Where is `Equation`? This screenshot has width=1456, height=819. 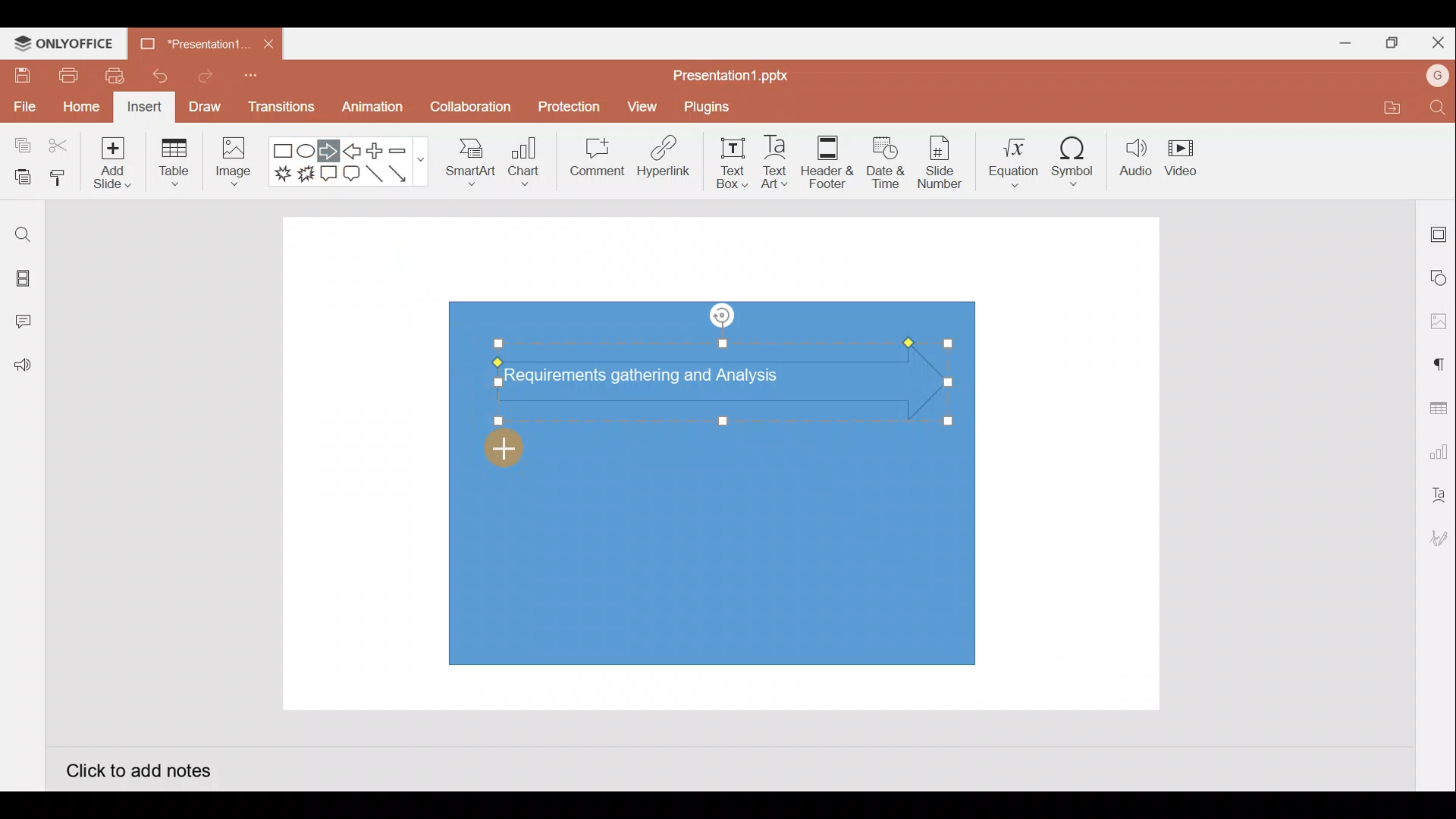 Equation is located at coordinates (1015, 157).